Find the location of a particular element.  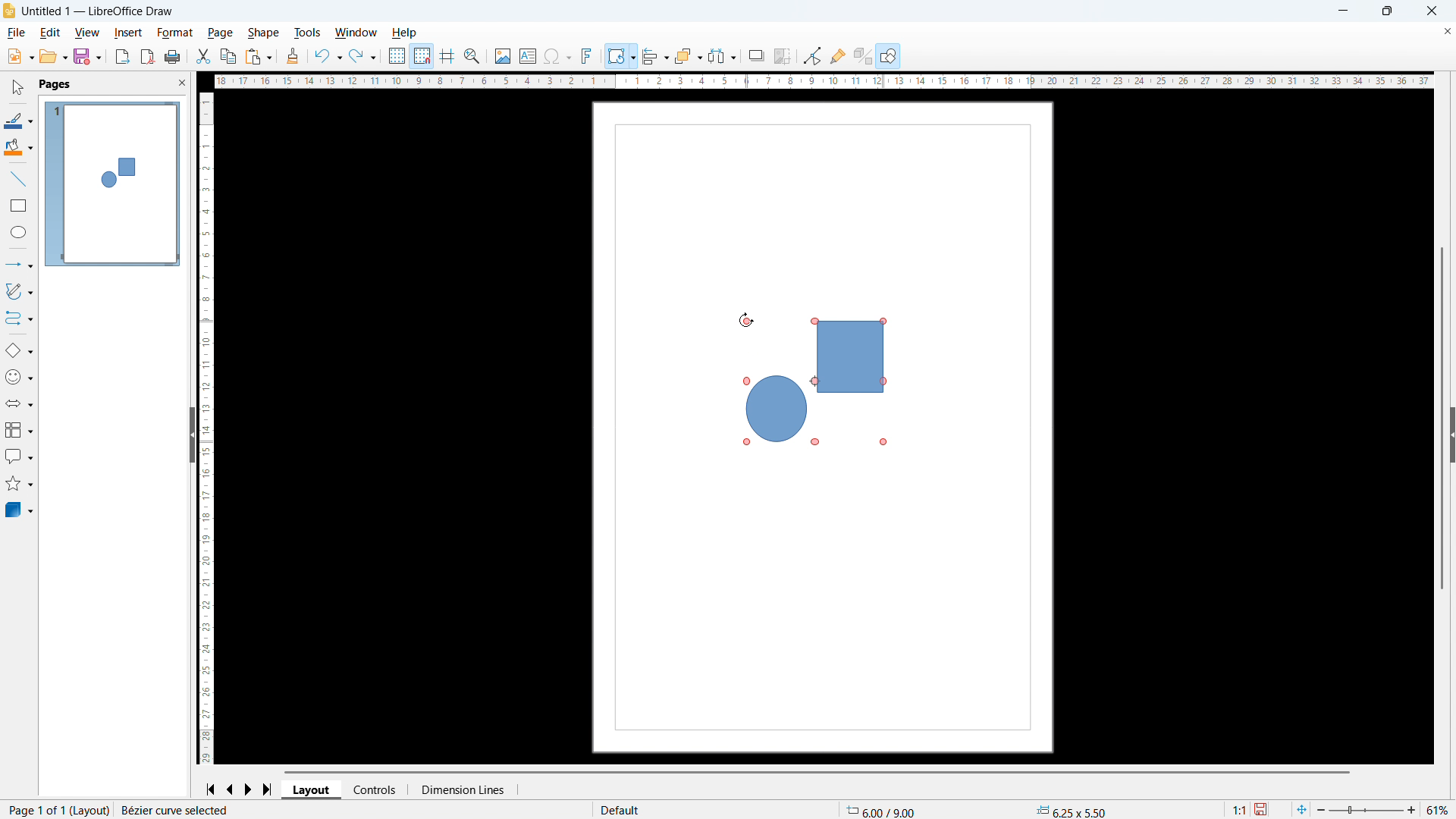

Connectors  is located at coordinates (20, 318).